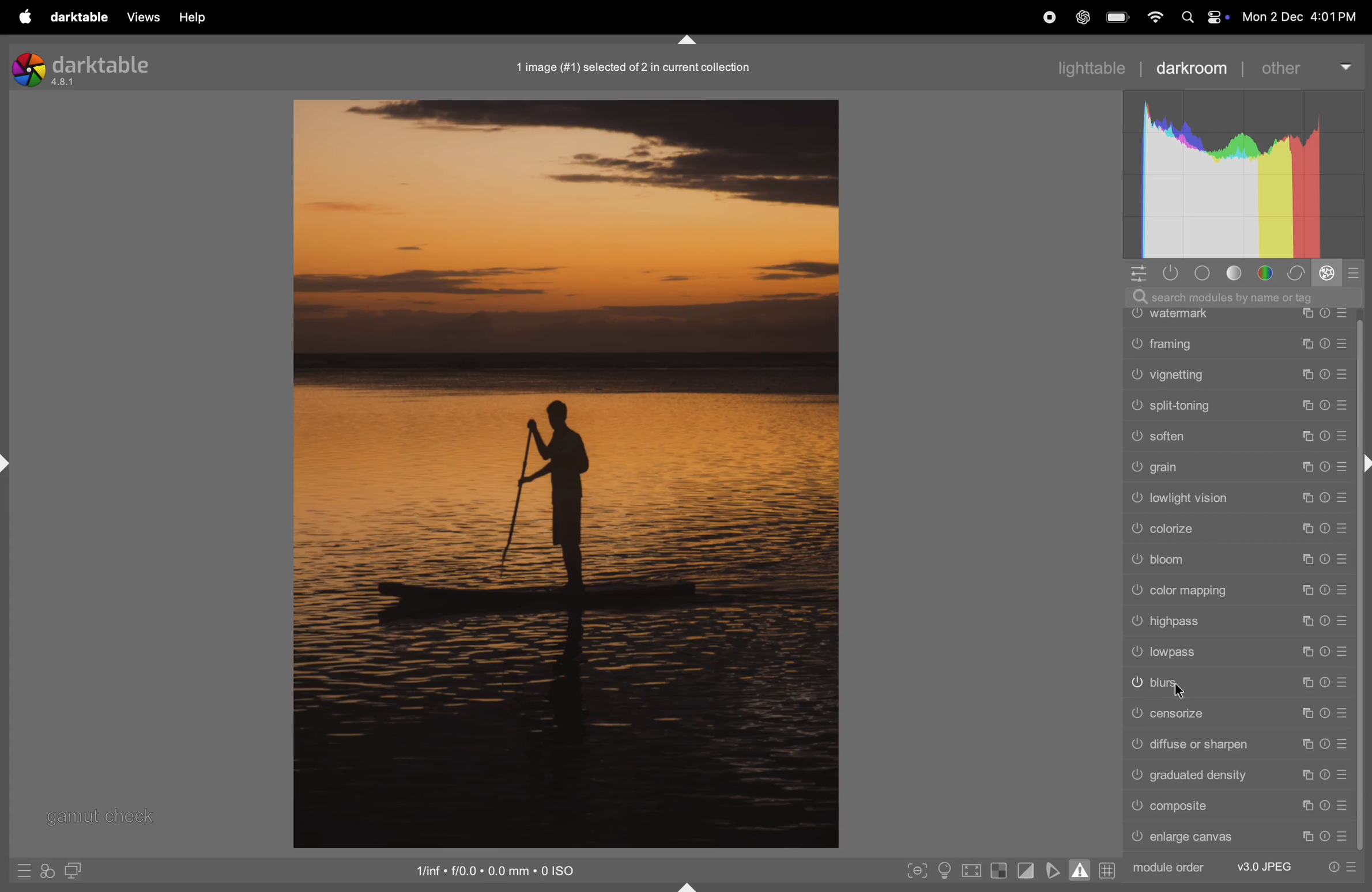  Describe the element at coordinates (1083, 16) in the screenshot. I see `chatgpt` at that location.